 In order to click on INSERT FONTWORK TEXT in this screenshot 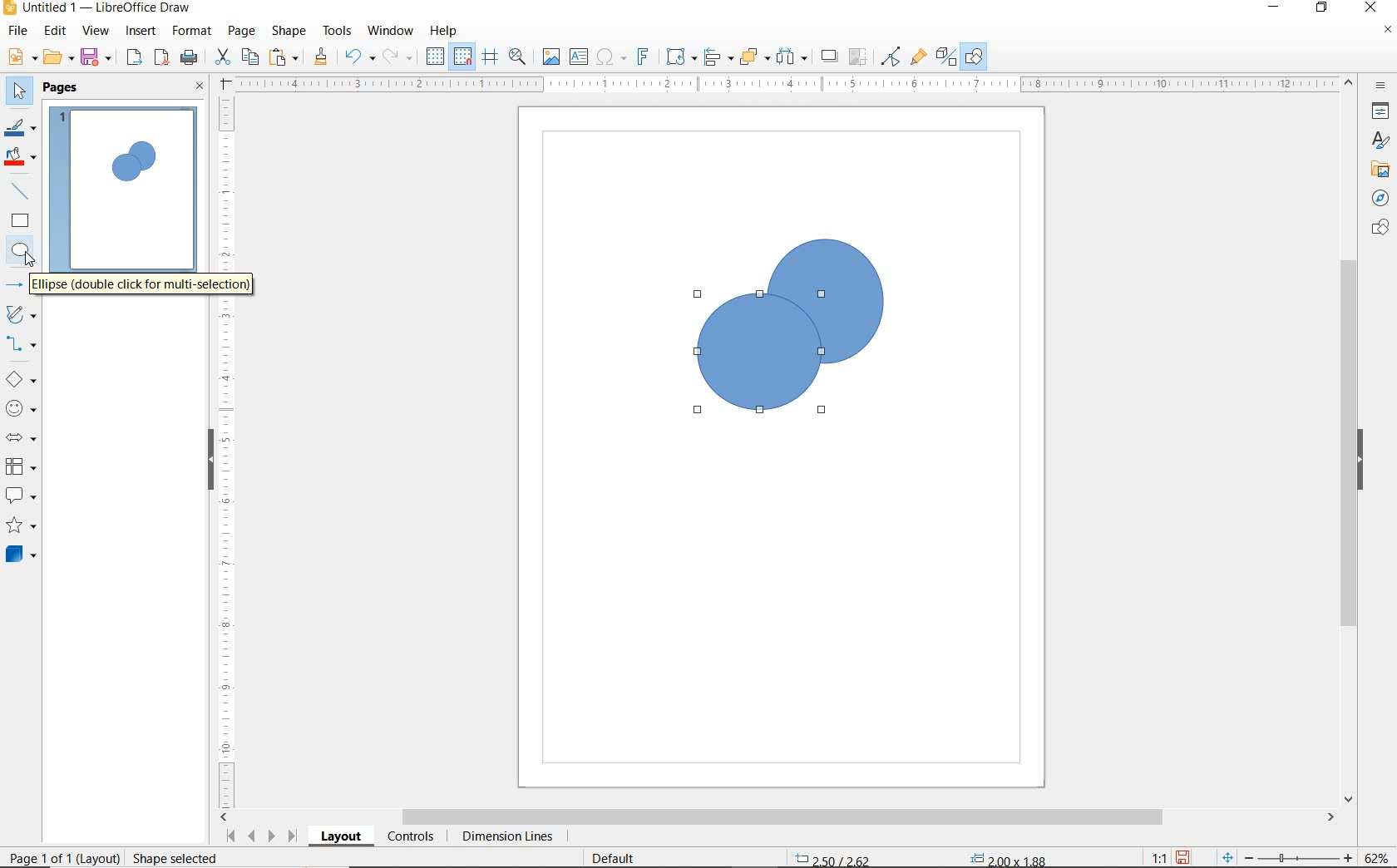, I will do `click(641, 57)`.